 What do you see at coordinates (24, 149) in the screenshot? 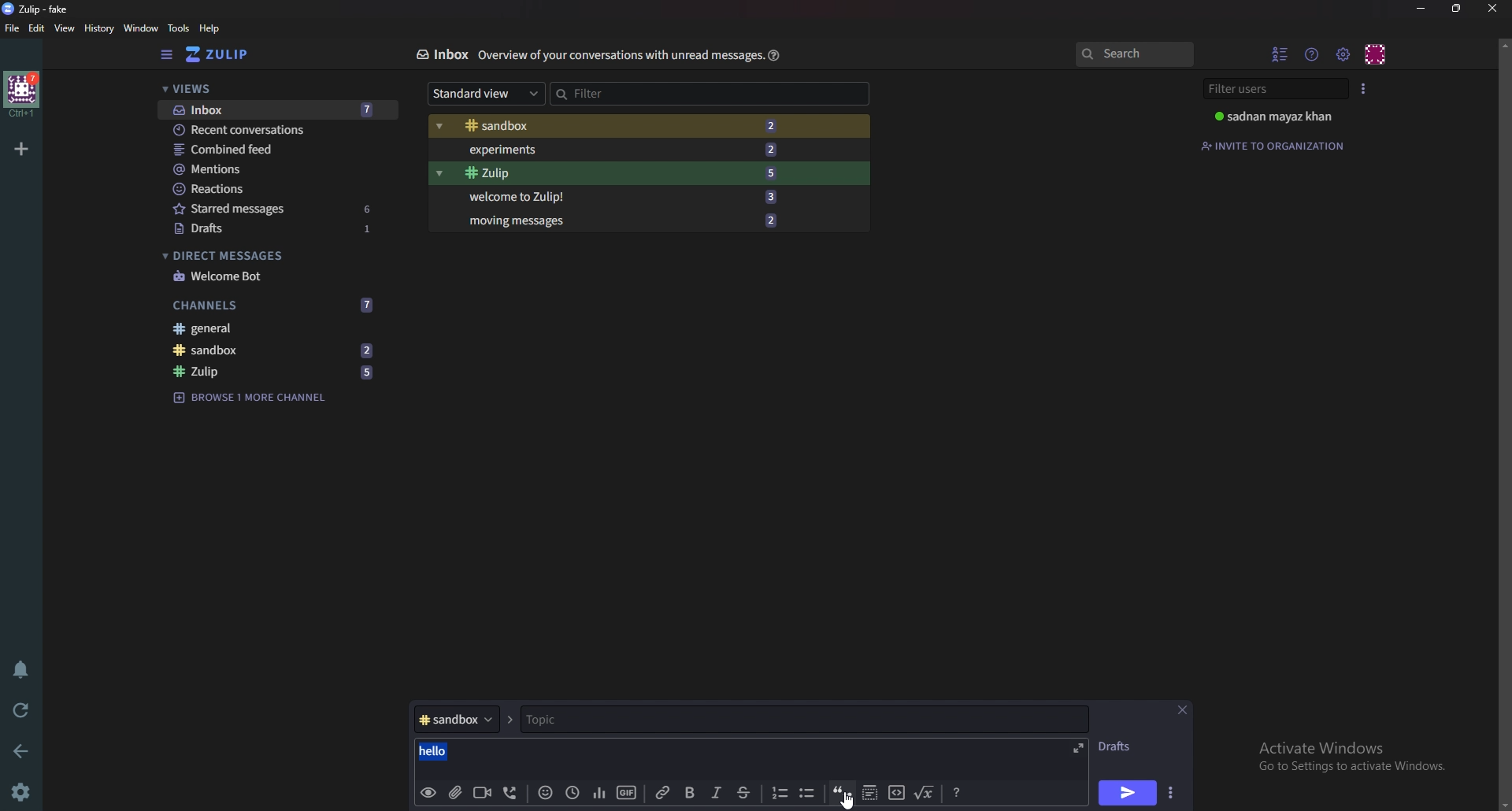
I see `Add organization` at bounding box center [24, 149].